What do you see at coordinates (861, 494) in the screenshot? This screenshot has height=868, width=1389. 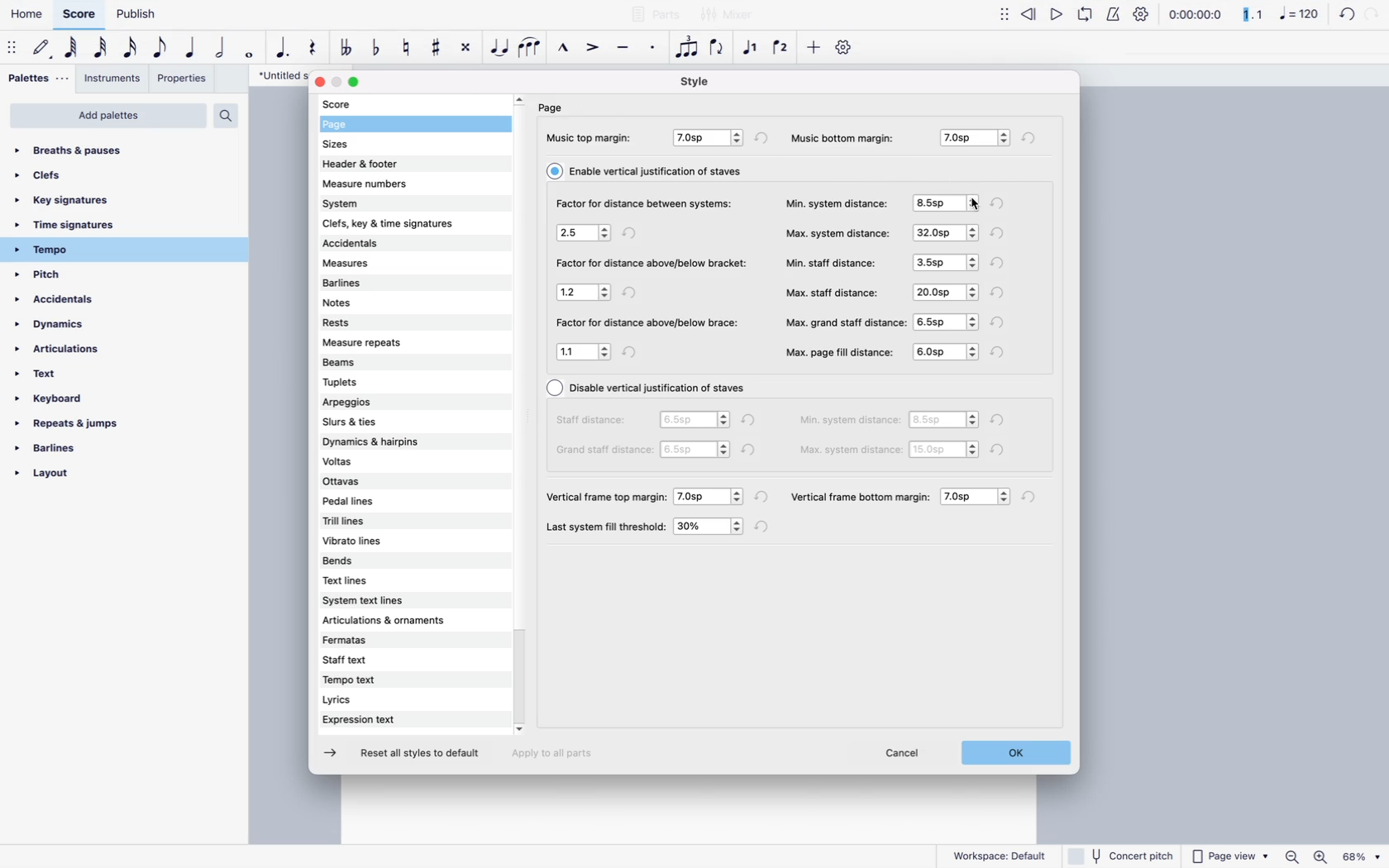 I see `vertical frame bottom margin` at bounding box center [861, 494].